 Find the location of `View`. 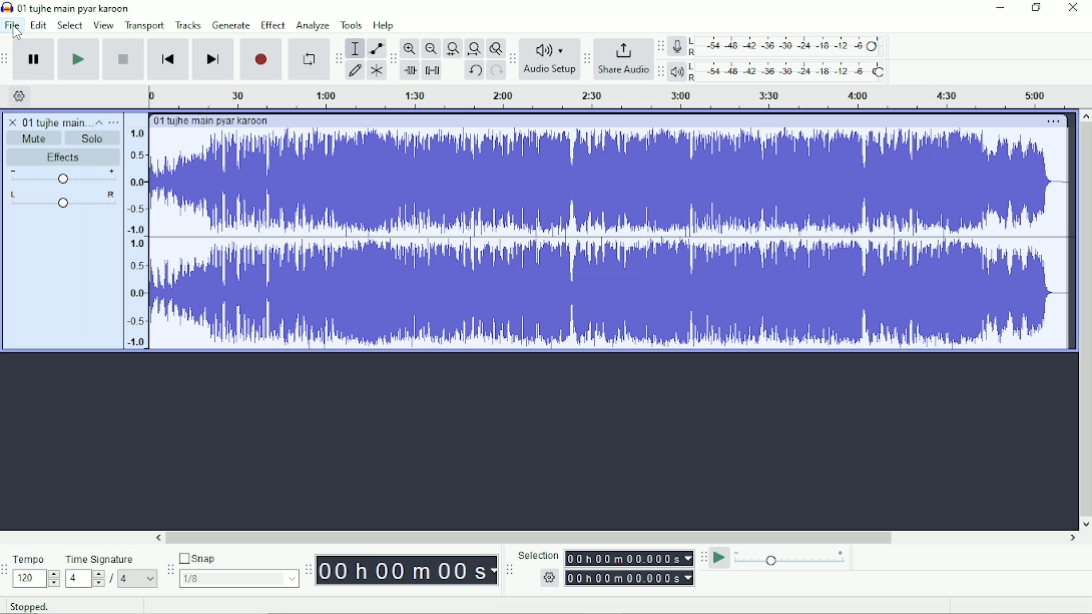

View is located at coordinates (104, 25).